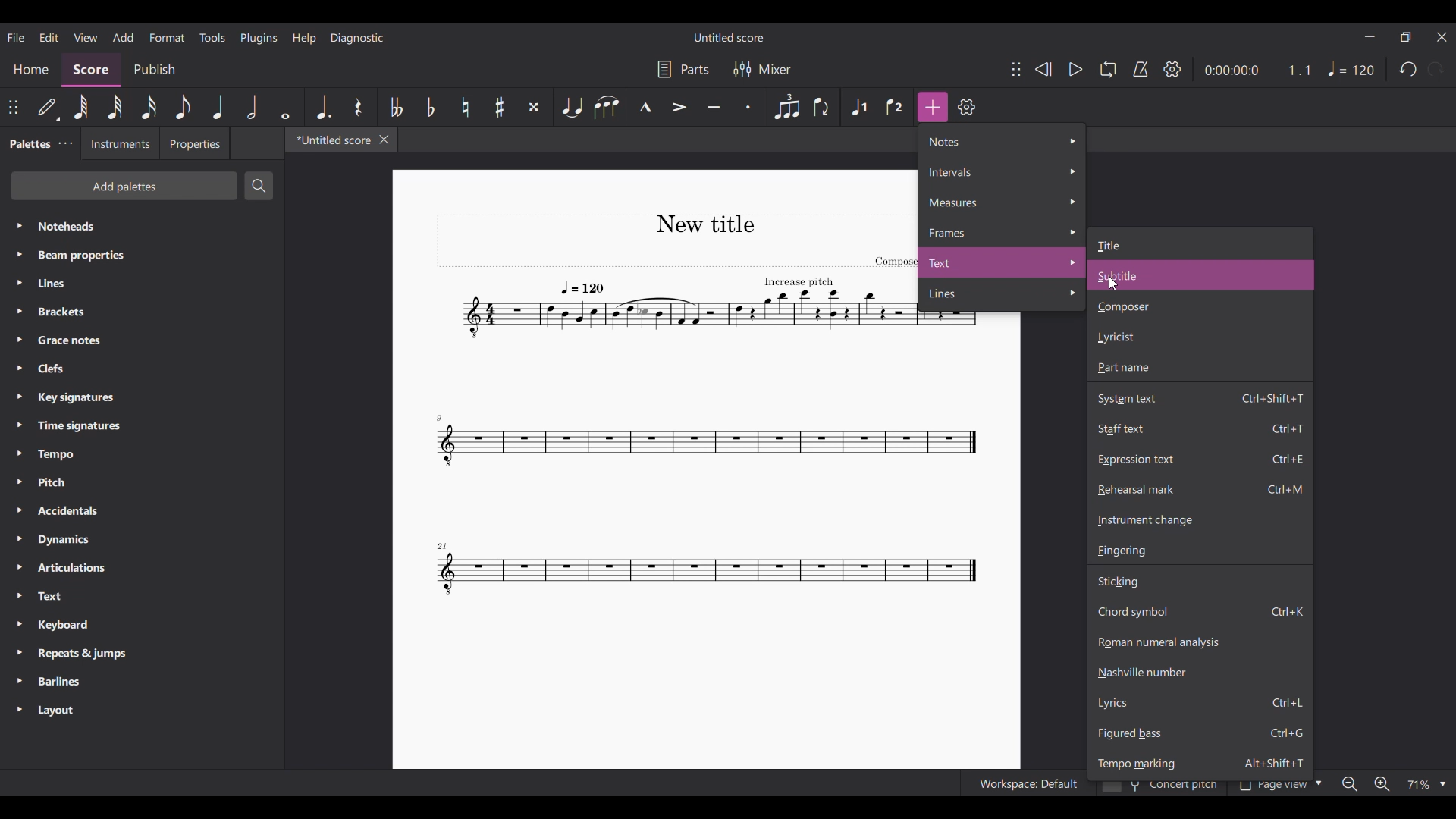 The width and height of the screenshot is (1456, 819). Describe the element at coordinates (1003, 294) in the screenshot. I see `Line options` at that location.